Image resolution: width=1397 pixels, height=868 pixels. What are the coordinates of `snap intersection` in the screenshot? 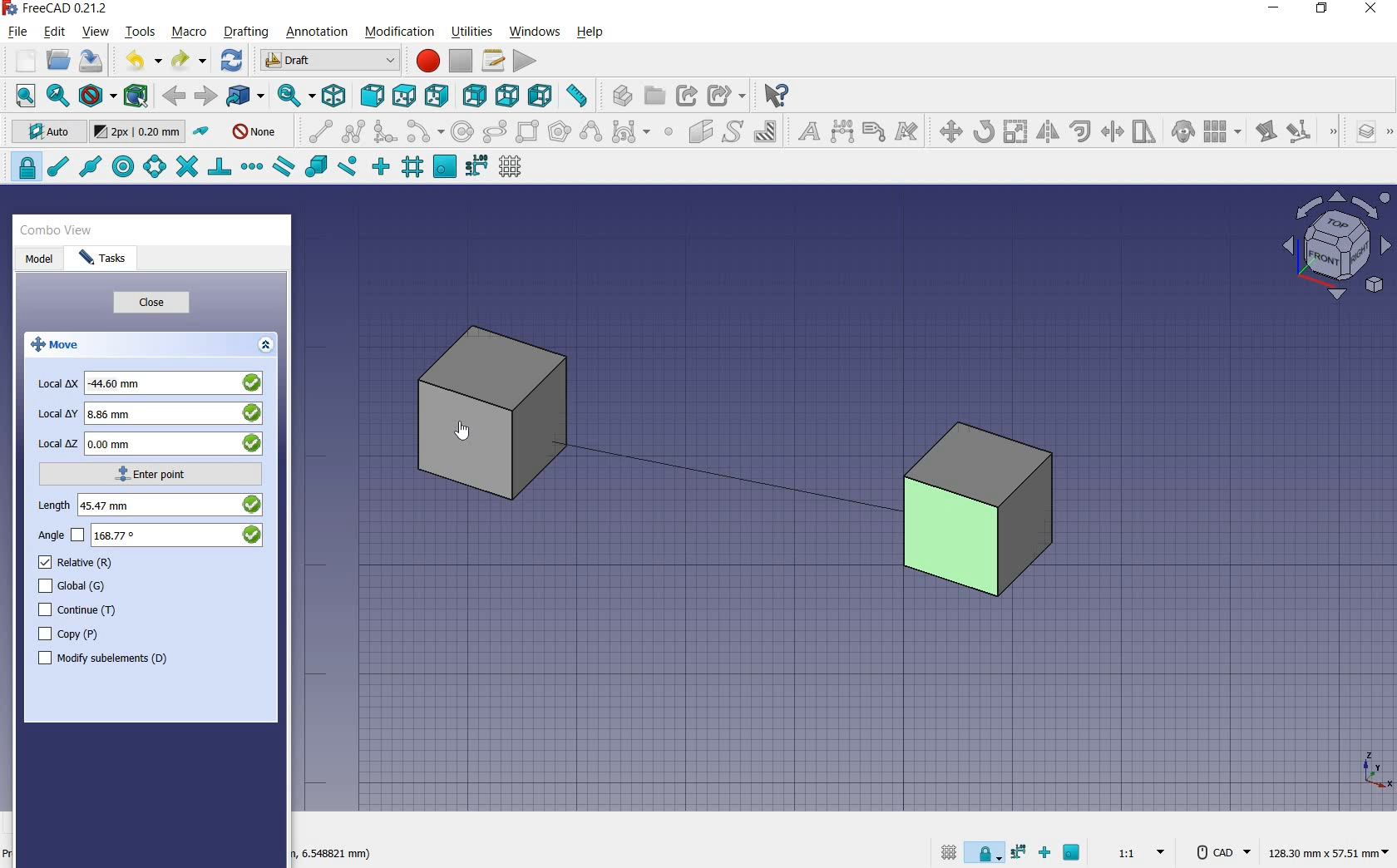 It's located at (189, 166).